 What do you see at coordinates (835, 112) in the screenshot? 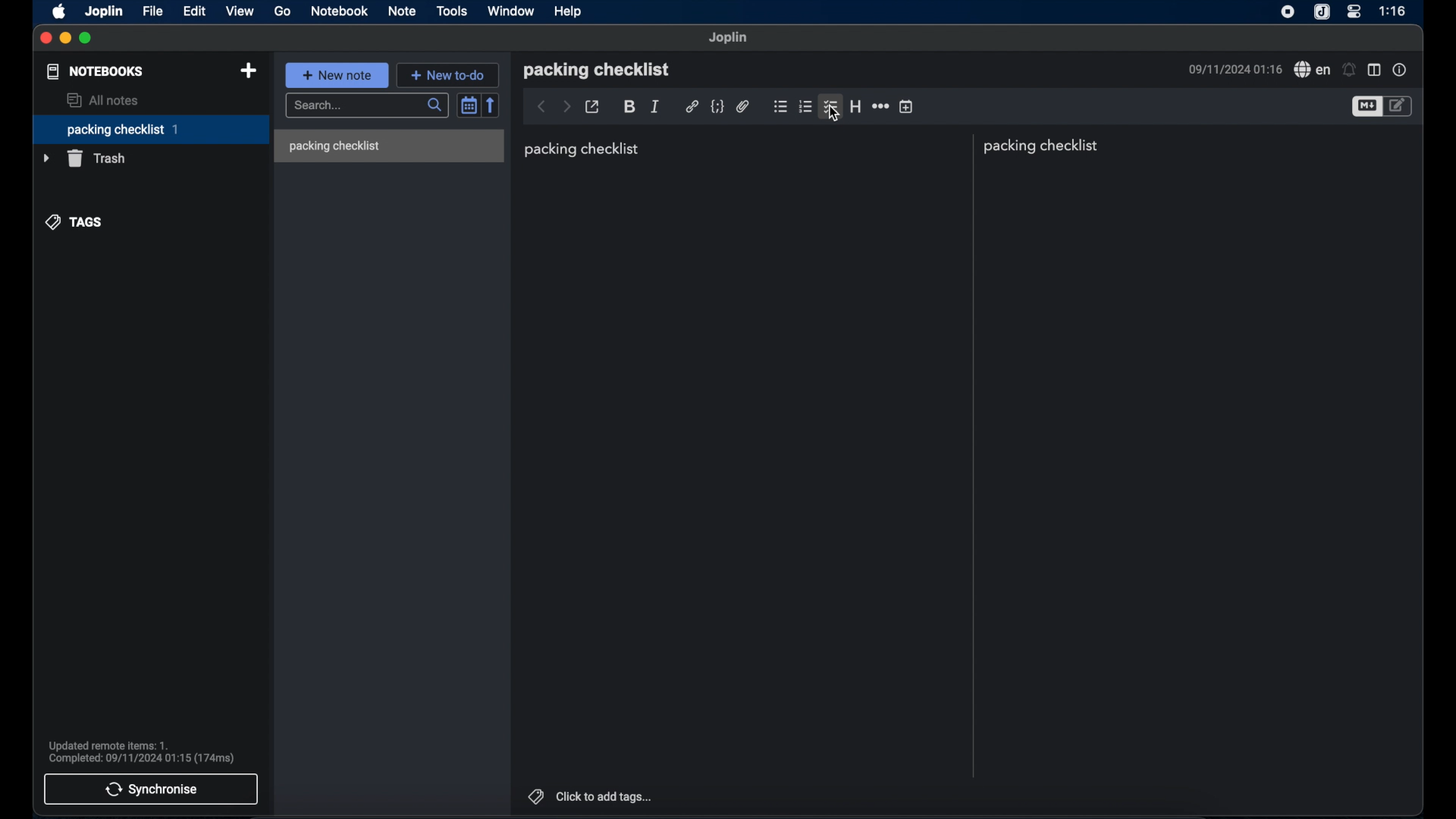
I see `cursor` at bounding box center [835, 112].